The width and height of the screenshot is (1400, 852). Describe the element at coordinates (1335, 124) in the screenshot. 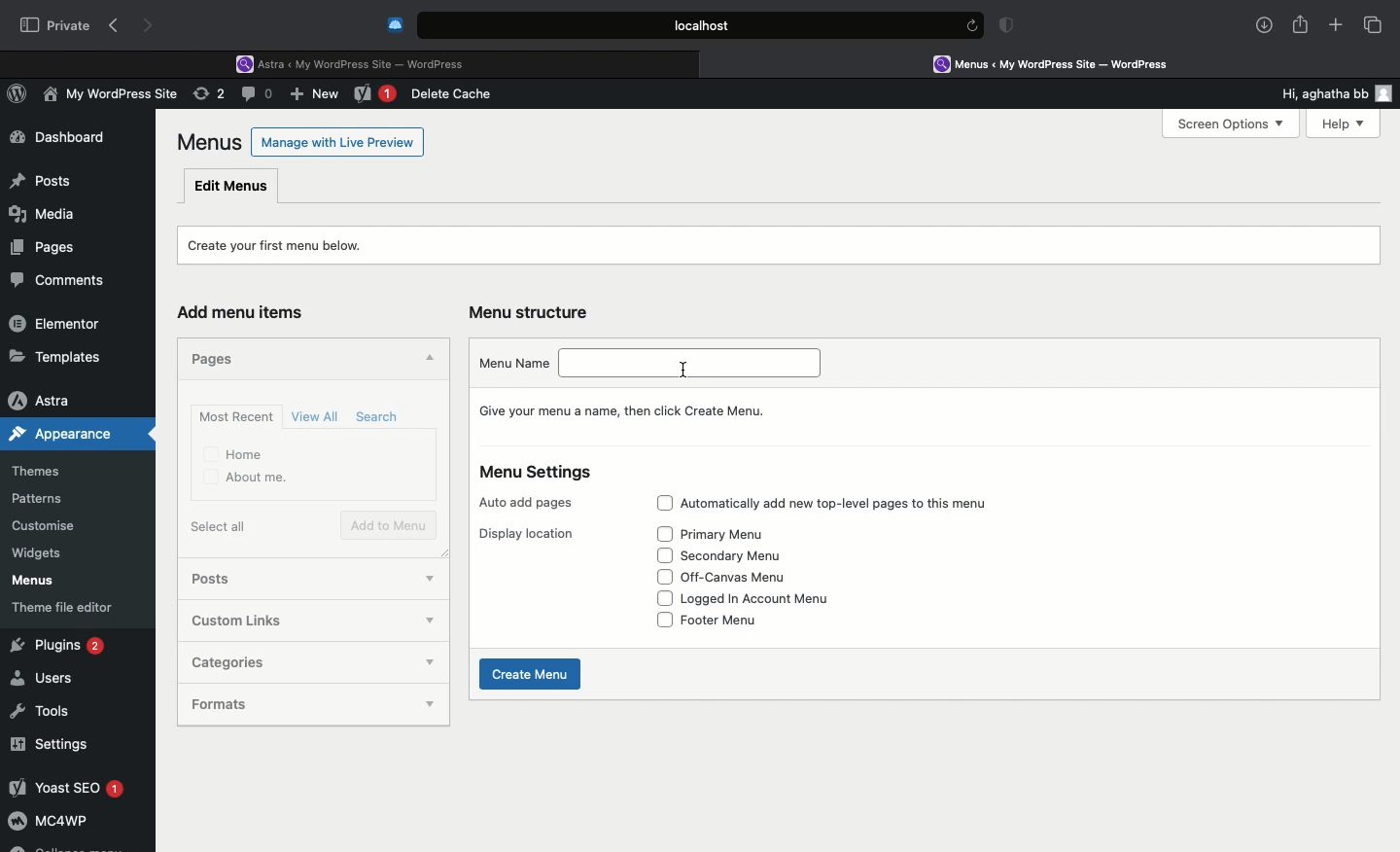

I see `Help` at that location.